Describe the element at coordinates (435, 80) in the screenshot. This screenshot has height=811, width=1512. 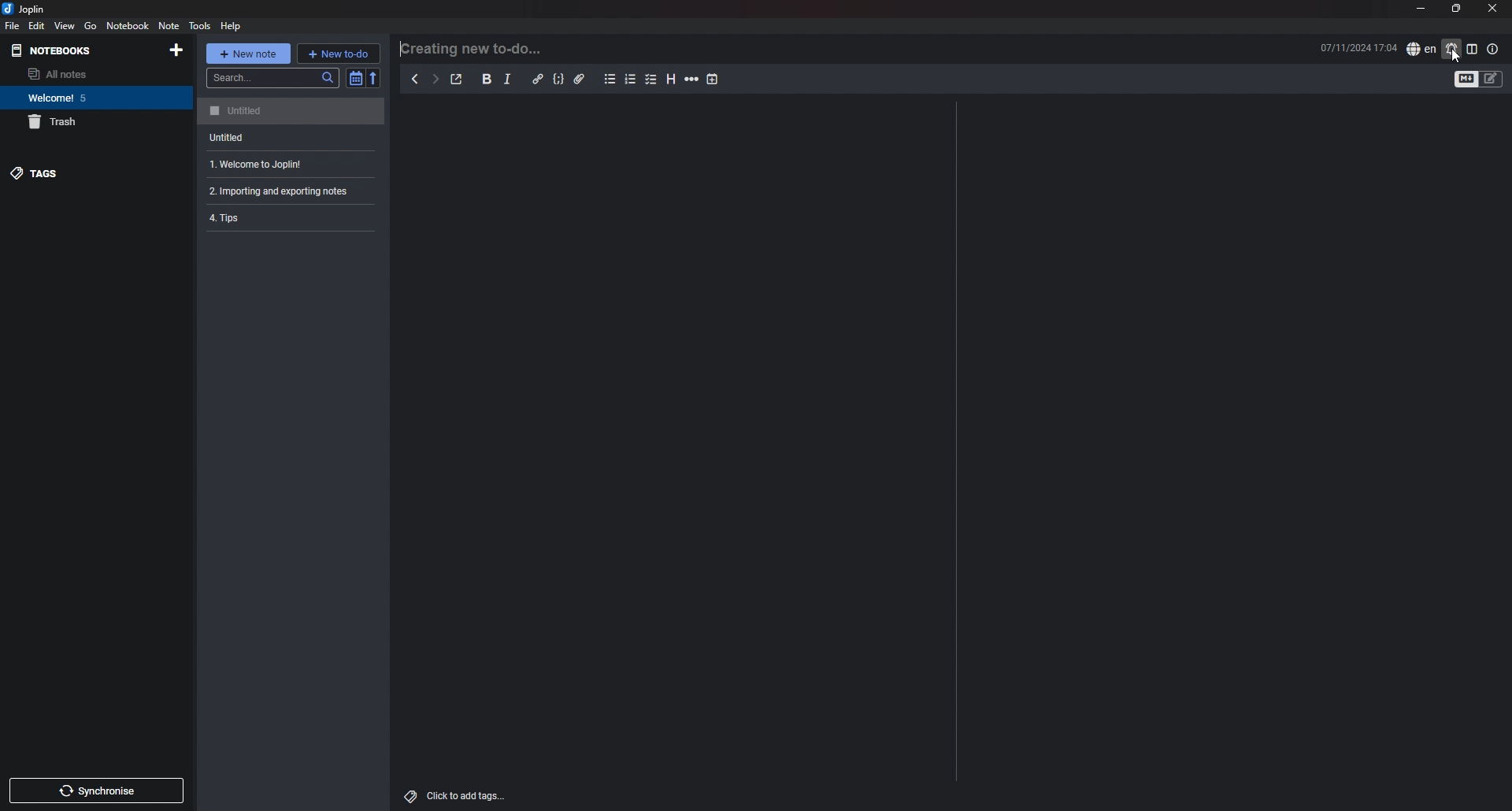
I see `forward` at that location.